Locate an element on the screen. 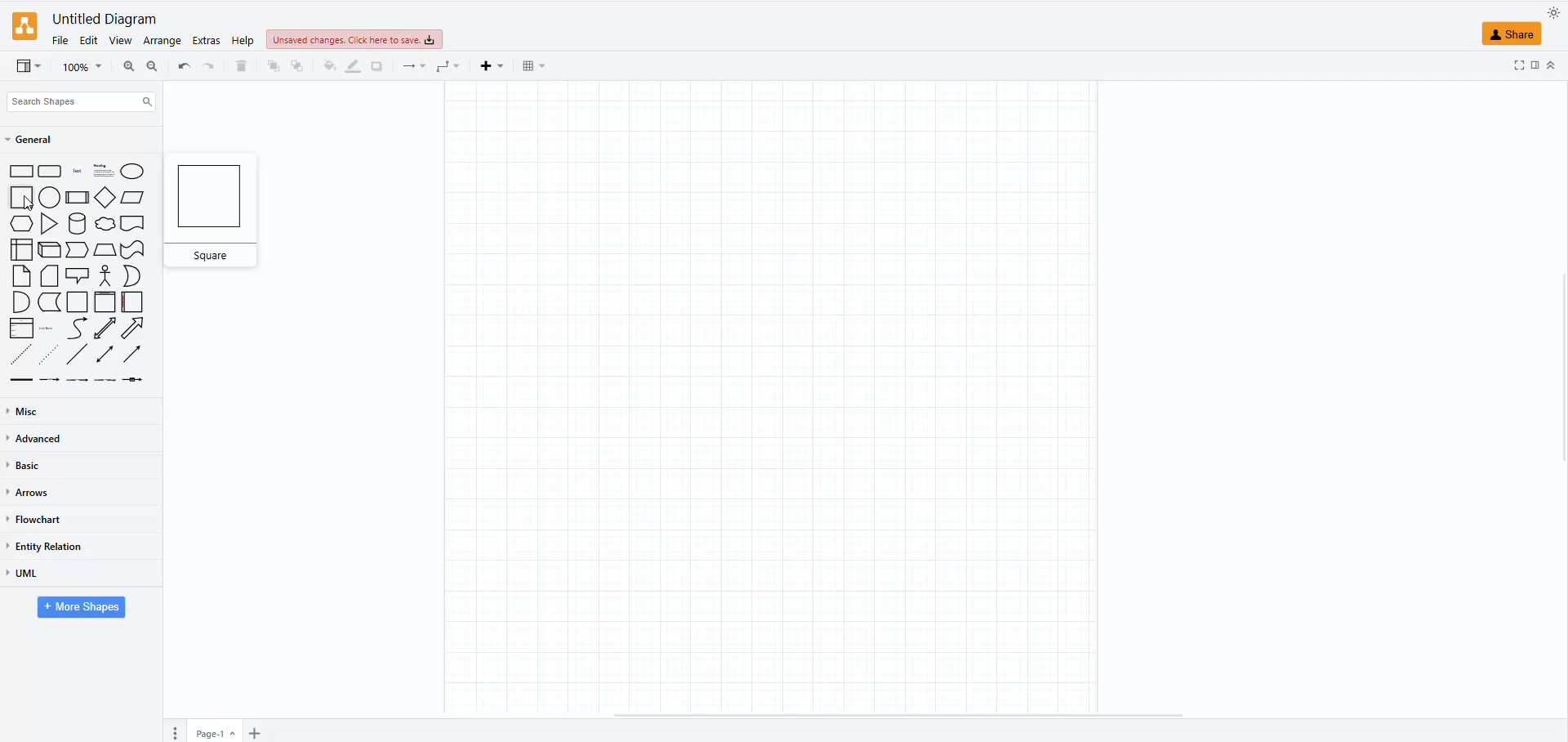 Image resolution: width=1568 pixels, height=742 pixels. arrange is located at coordinates (161, 40).